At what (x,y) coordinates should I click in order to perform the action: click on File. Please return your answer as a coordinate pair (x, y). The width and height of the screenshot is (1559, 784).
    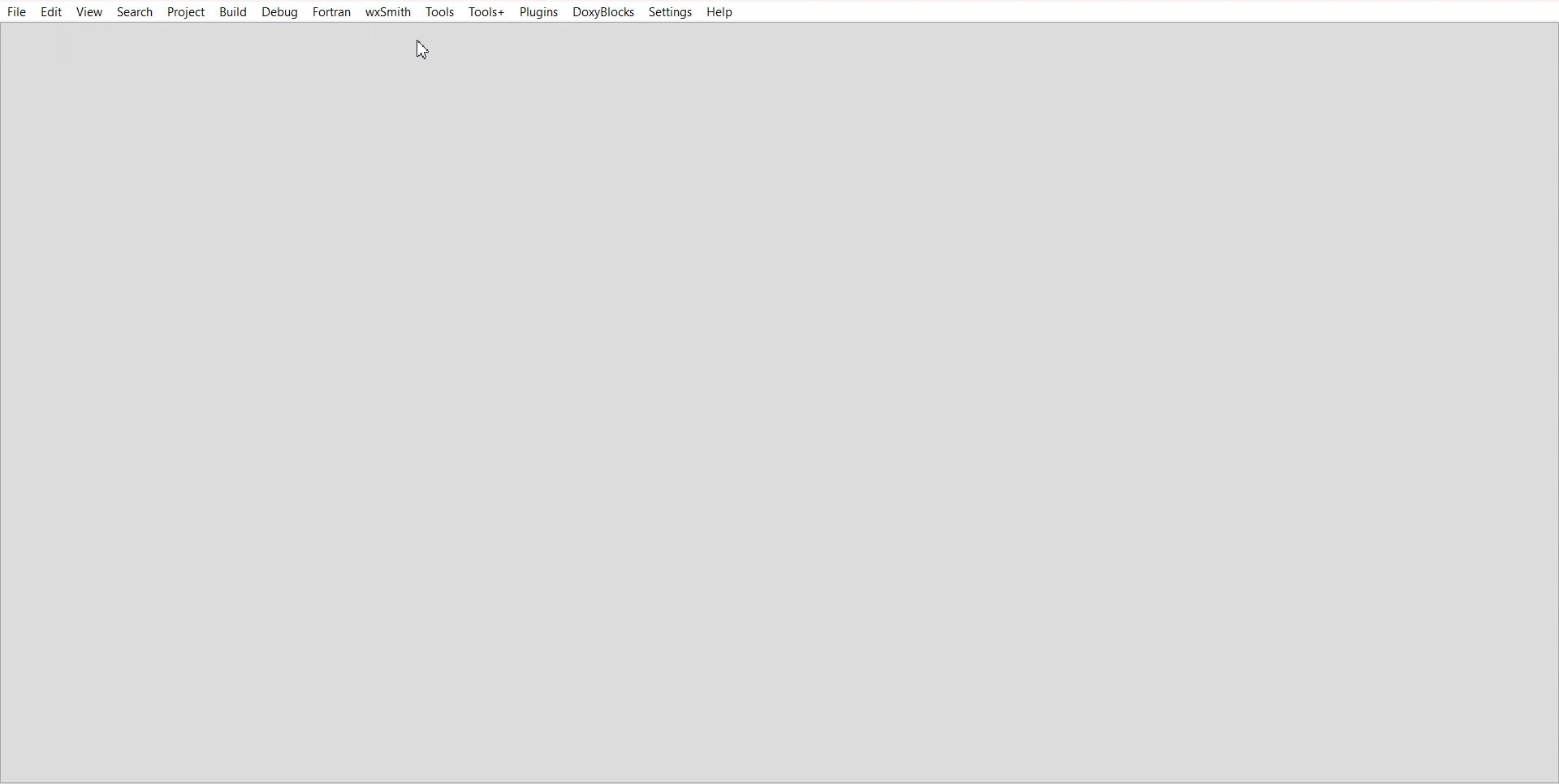
    Looking at the image, I should click on (18, 12).